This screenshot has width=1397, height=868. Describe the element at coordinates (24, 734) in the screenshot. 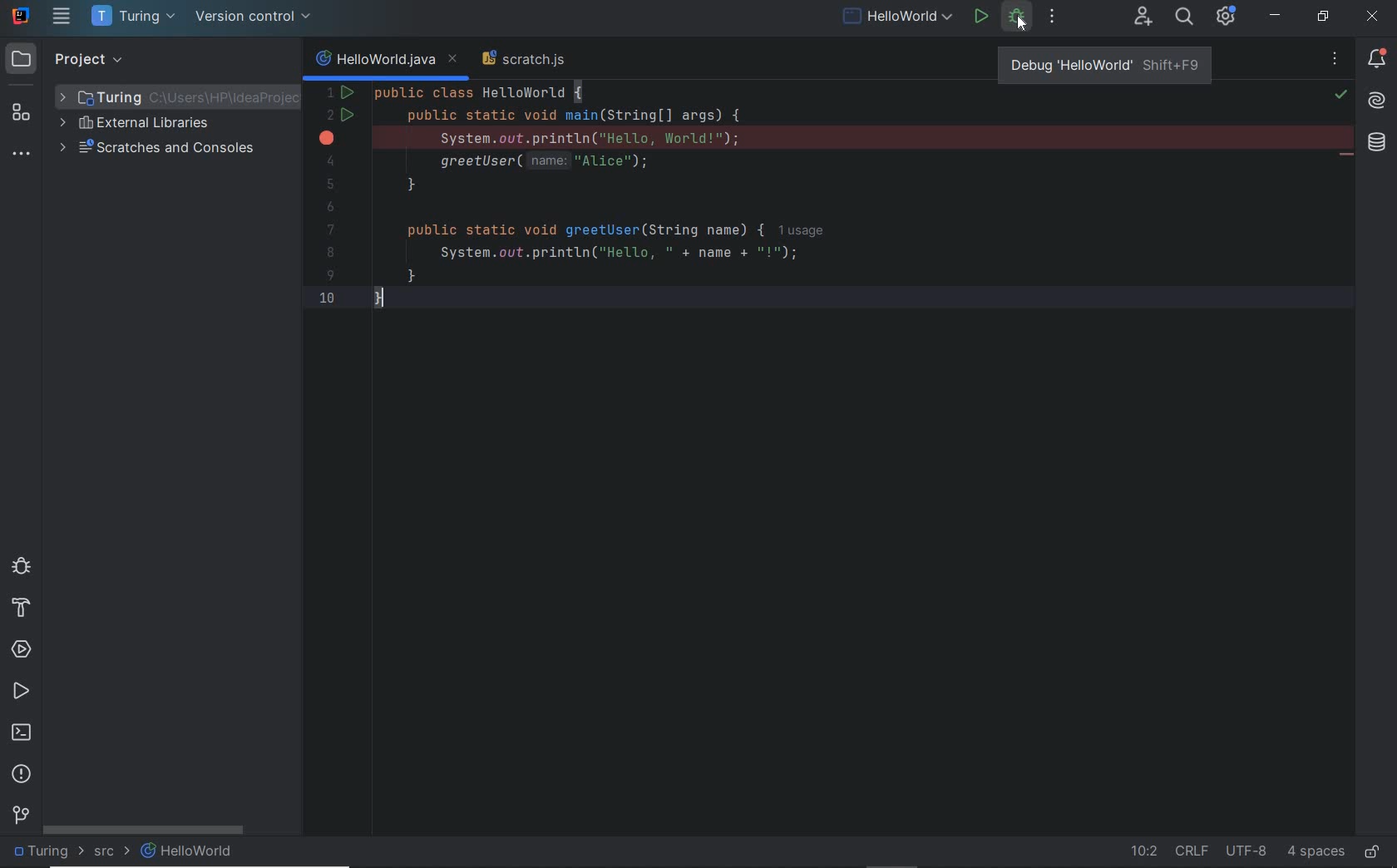

I see `terminal` at that location.